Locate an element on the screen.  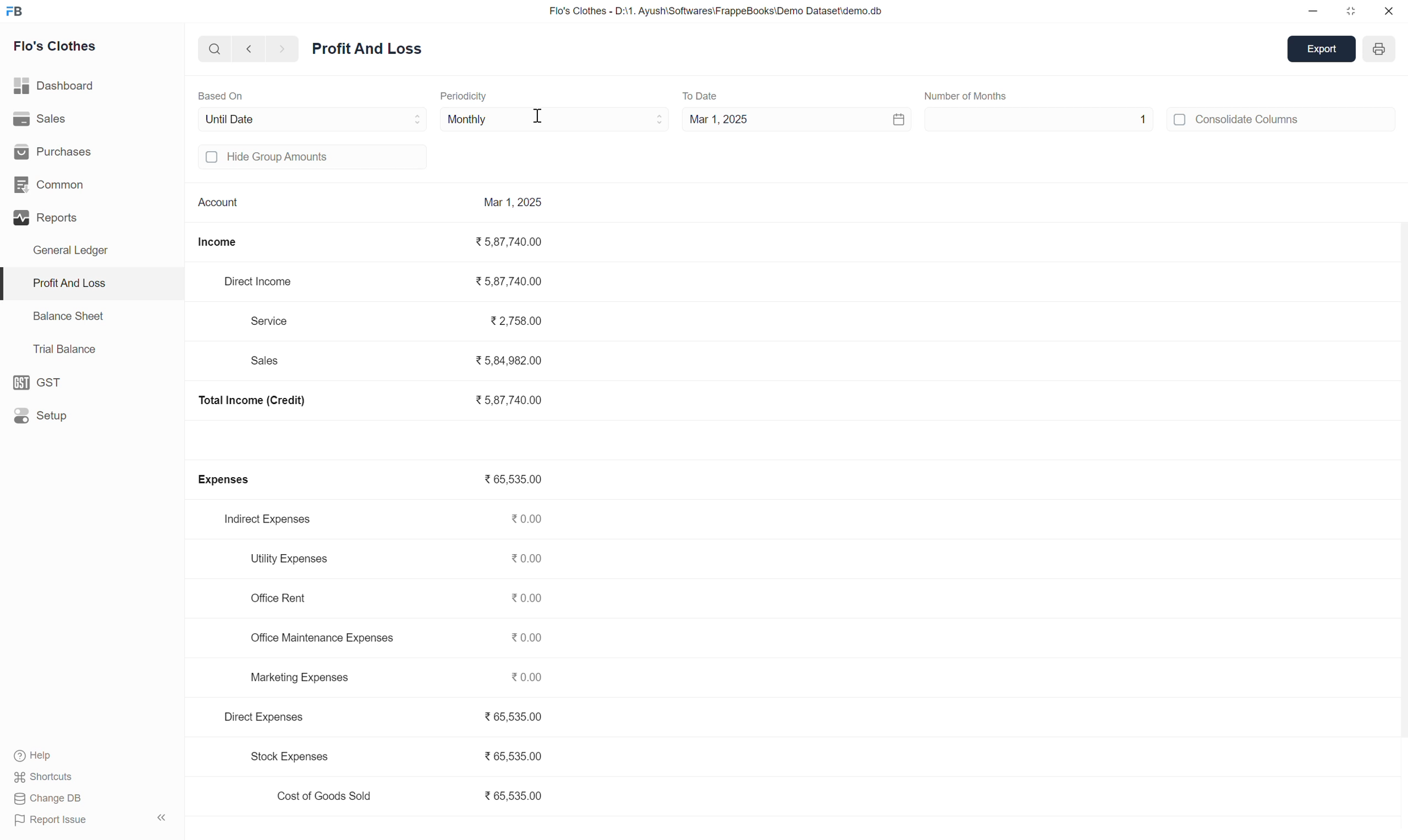
FB is located at coordinates (25, 12).